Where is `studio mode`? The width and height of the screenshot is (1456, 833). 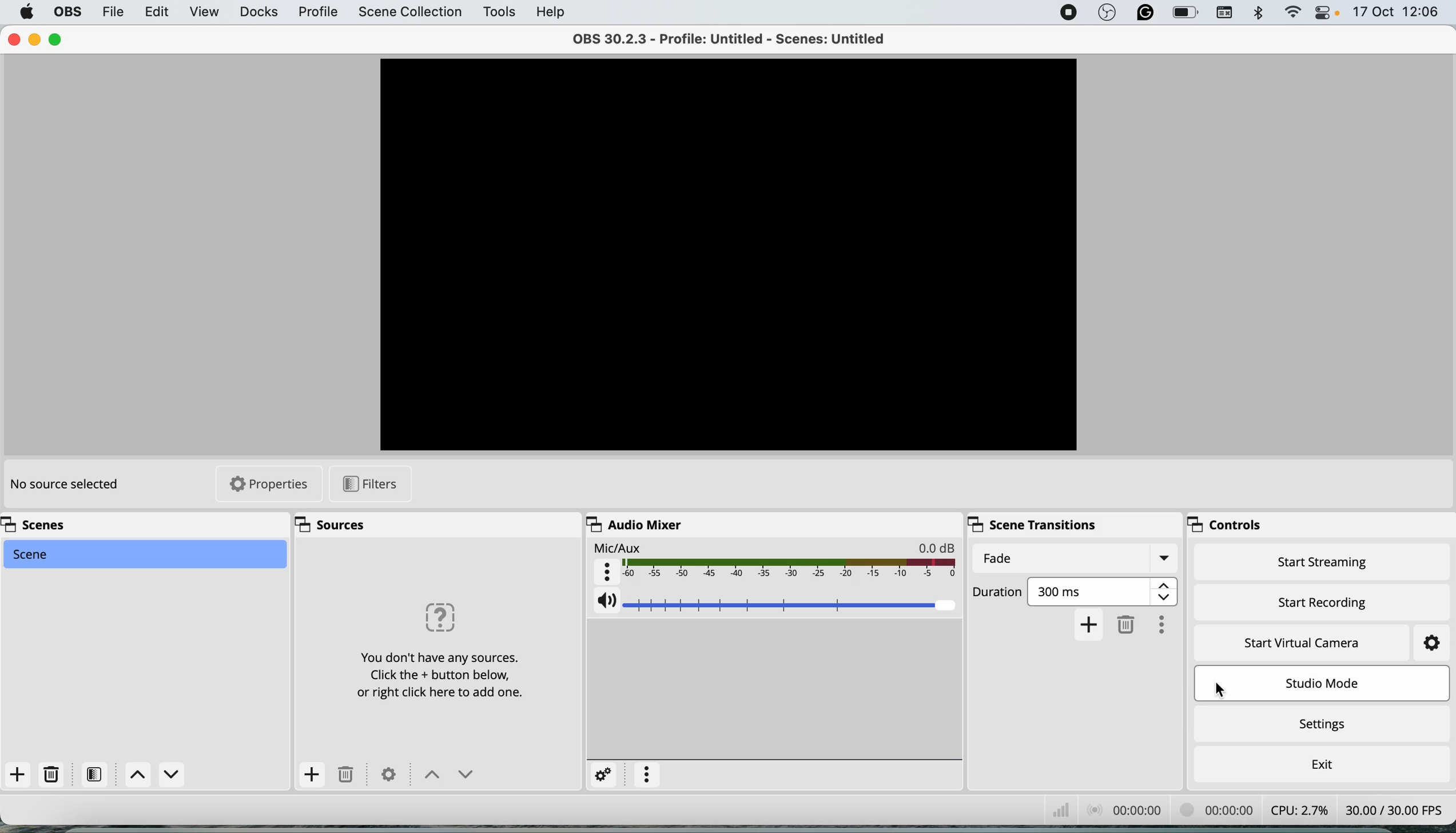 studio mode is located at coordinates (1325, 683).